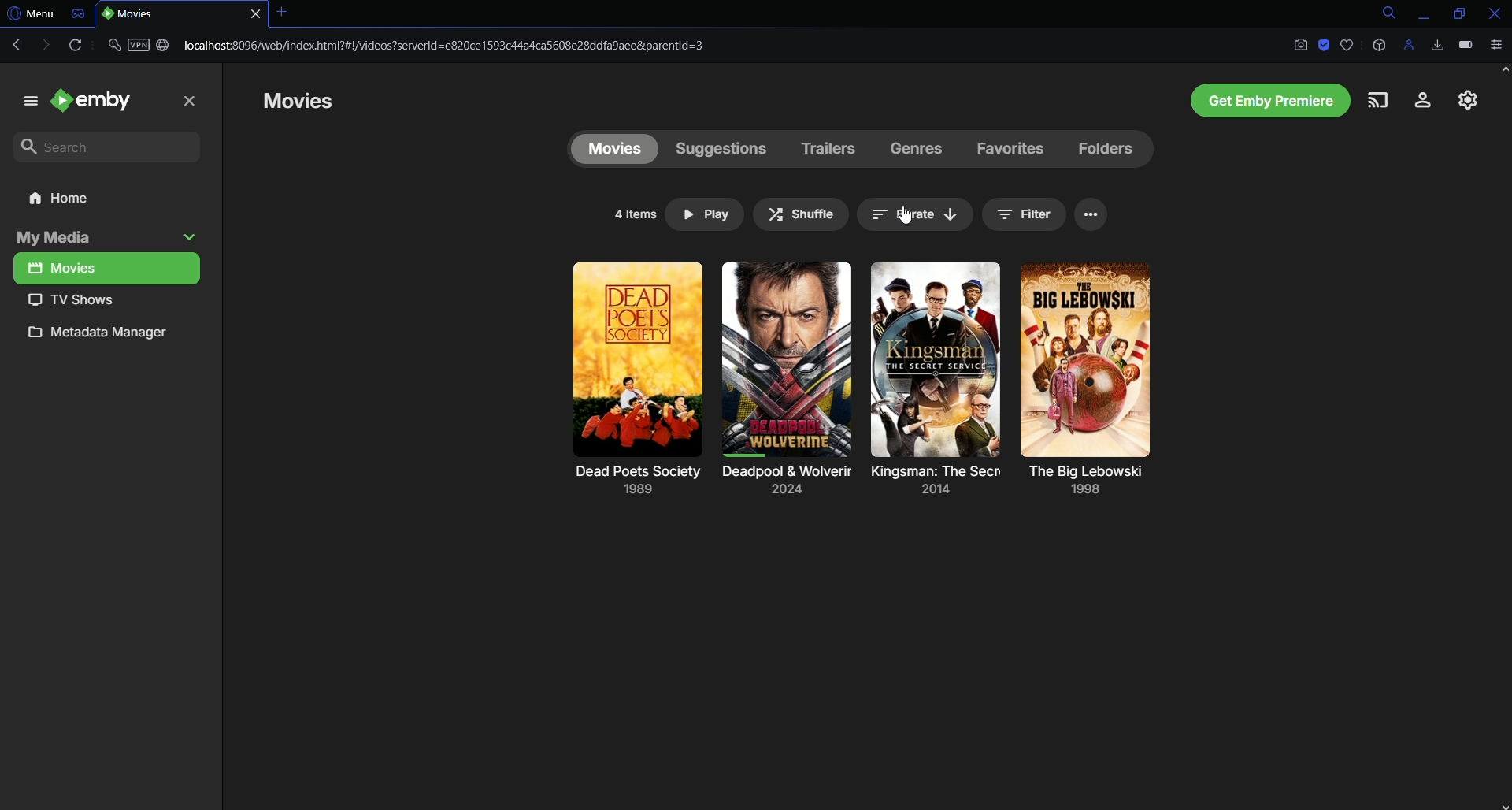  What do you see at coordinates (282, 13) in the screenshot?
I see `Close tab` at bounding box center [282, 13].